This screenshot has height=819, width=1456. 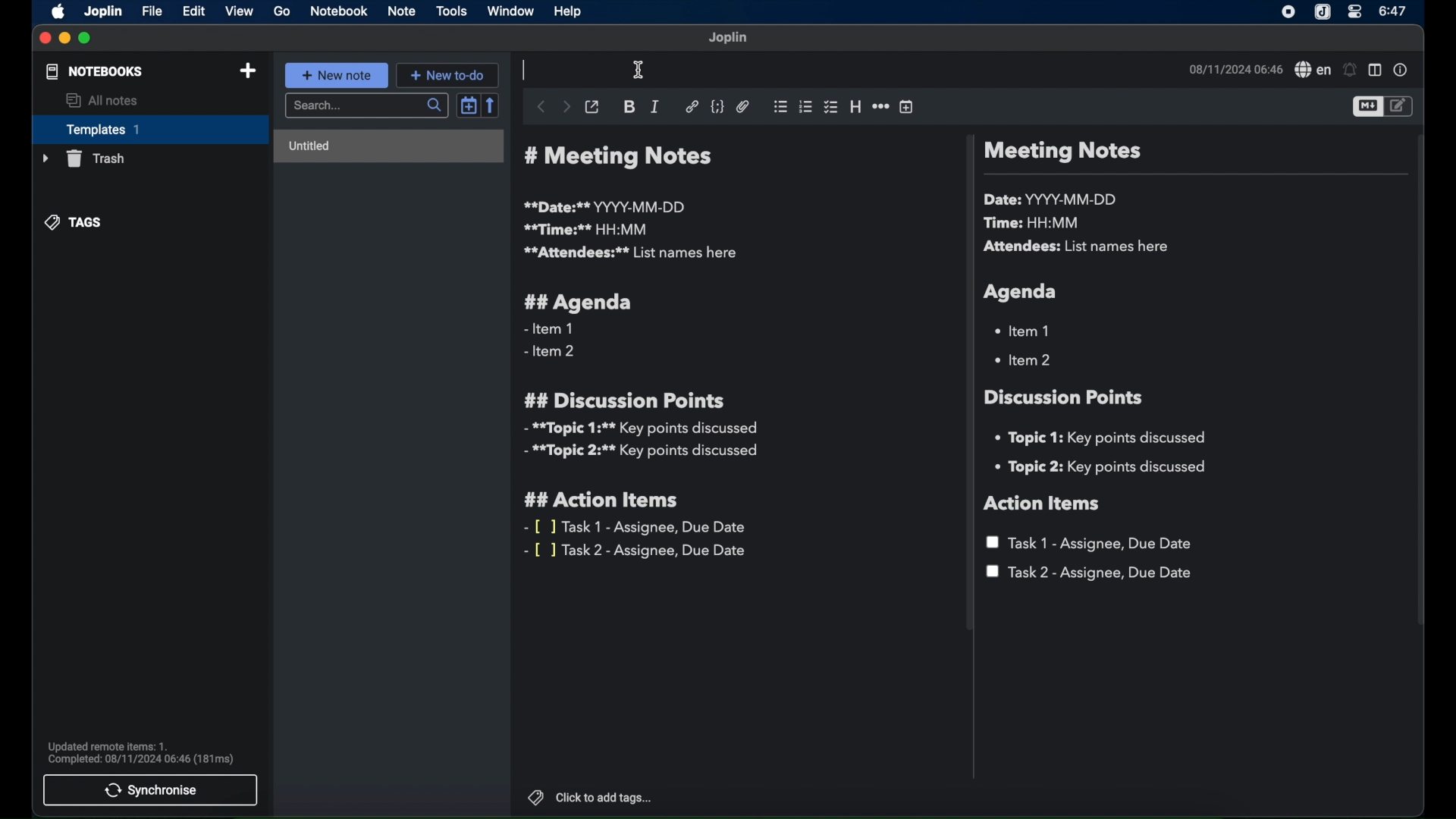 What do you see at coordinates (401, 11) in the screenshot?
I see `note` at bounding box center [401, 11].